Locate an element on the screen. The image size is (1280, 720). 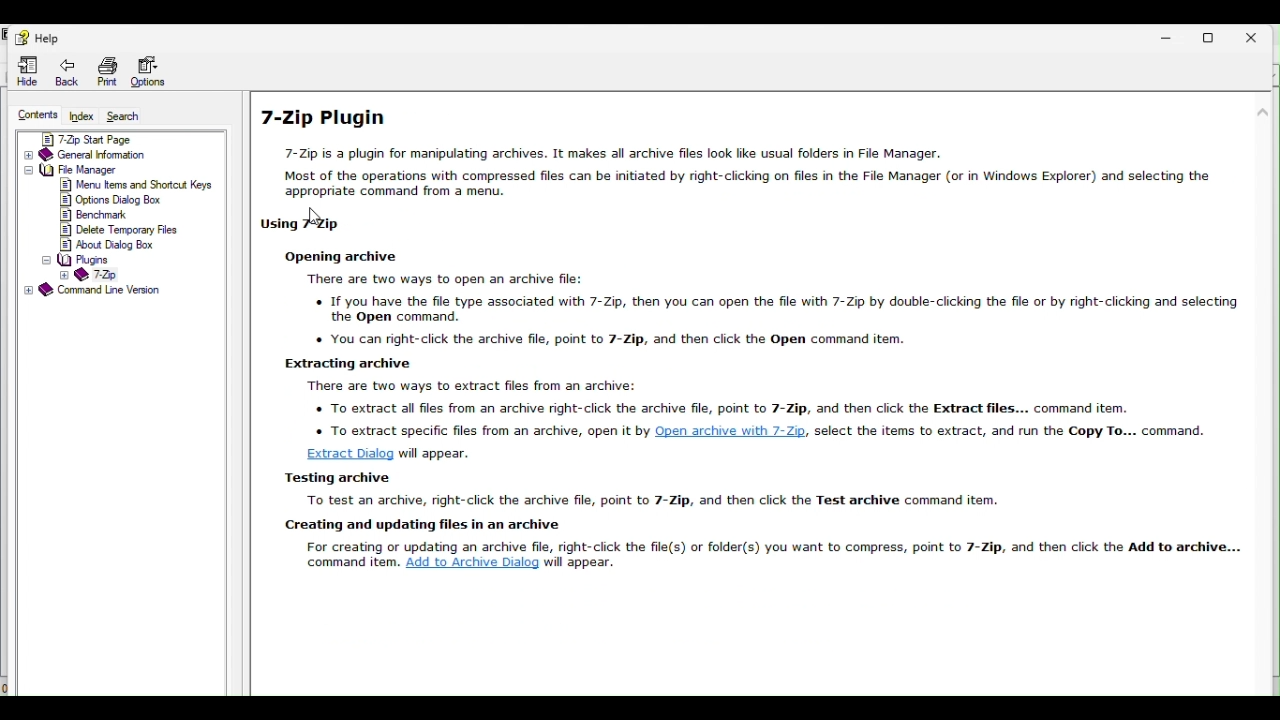
delete temporary files is located at coordinates (125, 231).